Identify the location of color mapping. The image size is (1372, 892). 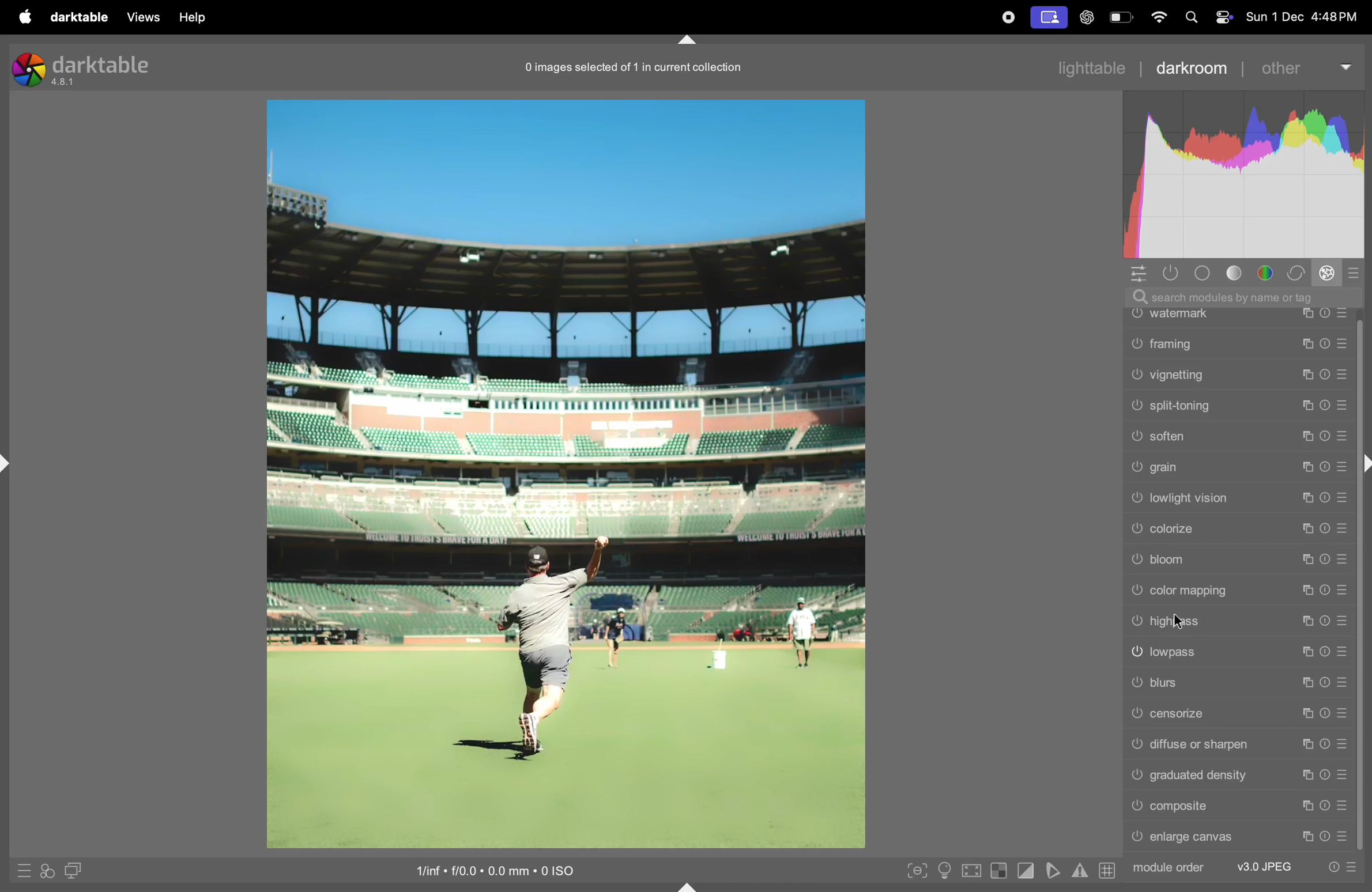
(1238, 589).